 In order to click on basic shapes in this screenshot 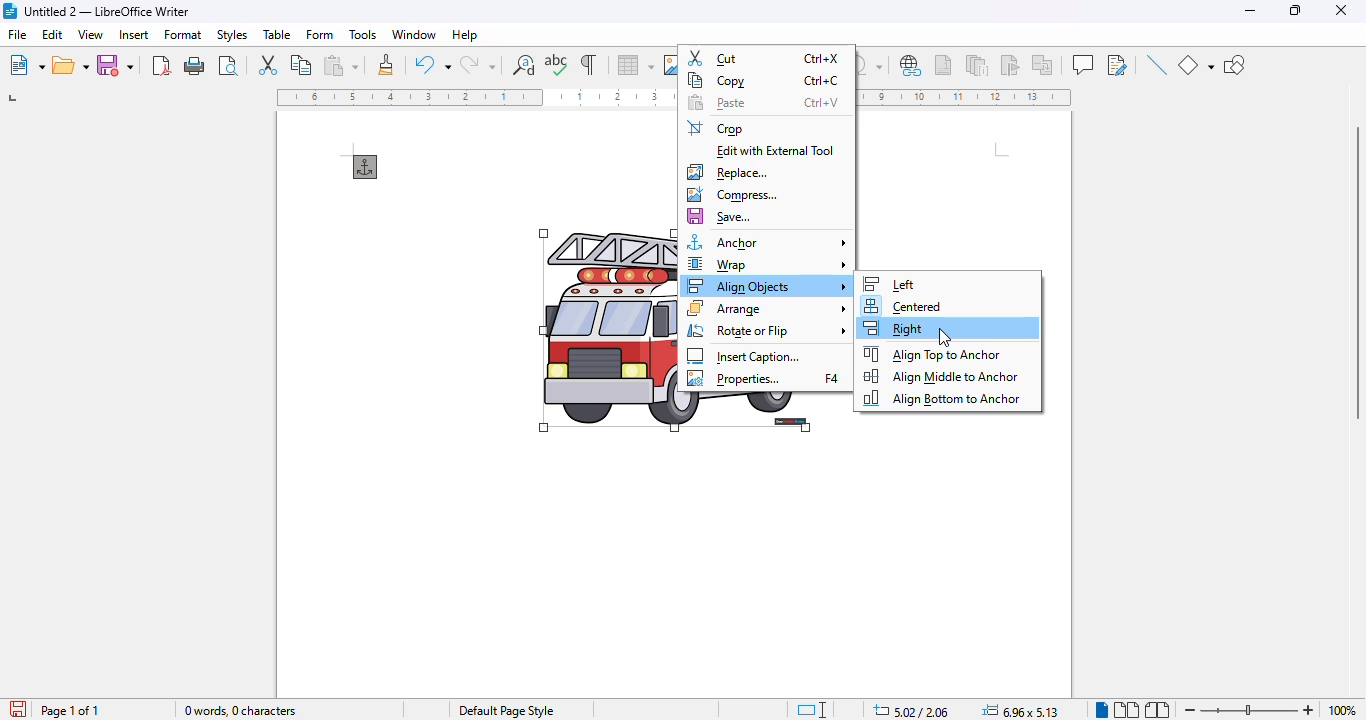, I will do `click(1195, 65)`.